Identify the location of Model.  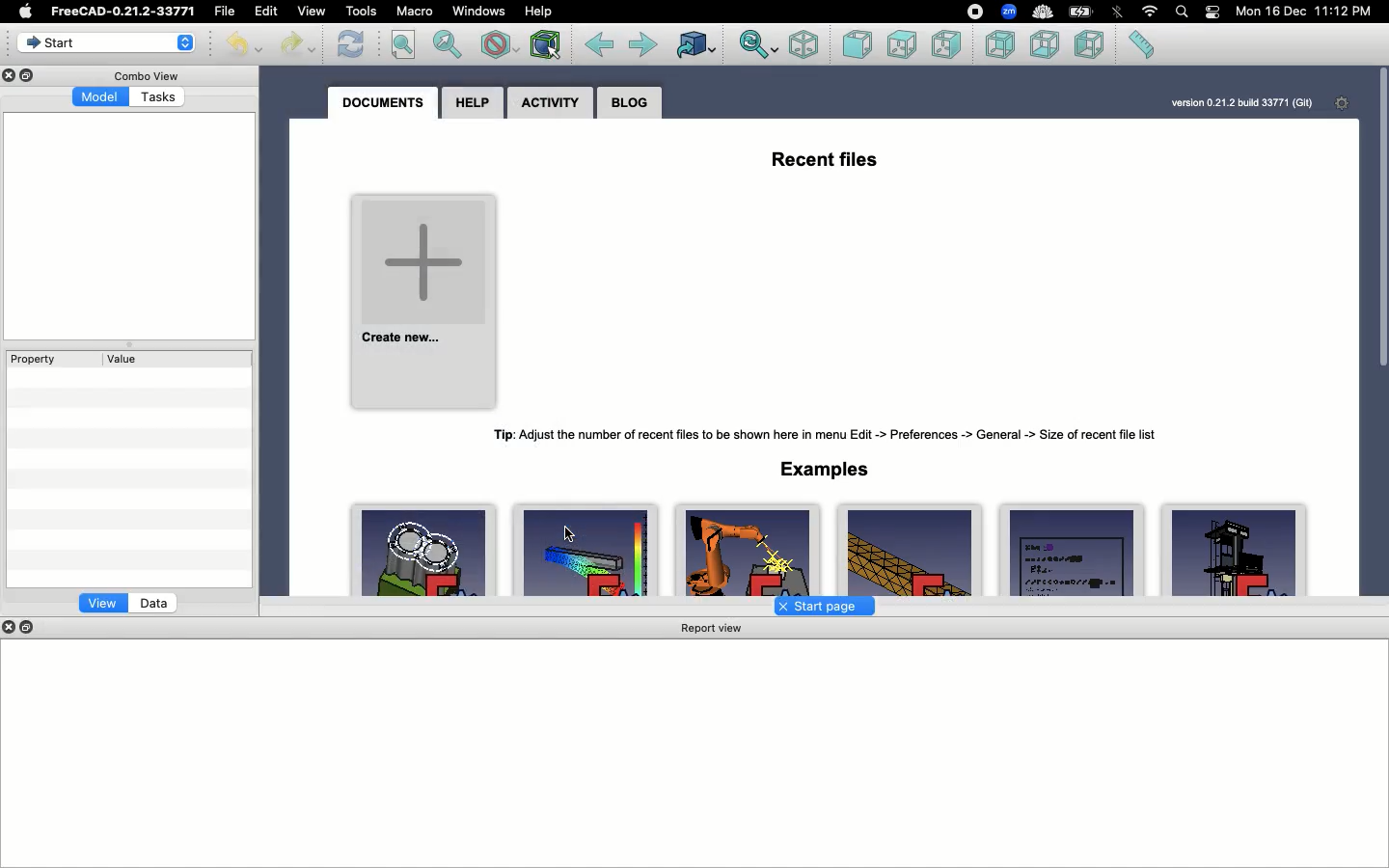
(101, 98).